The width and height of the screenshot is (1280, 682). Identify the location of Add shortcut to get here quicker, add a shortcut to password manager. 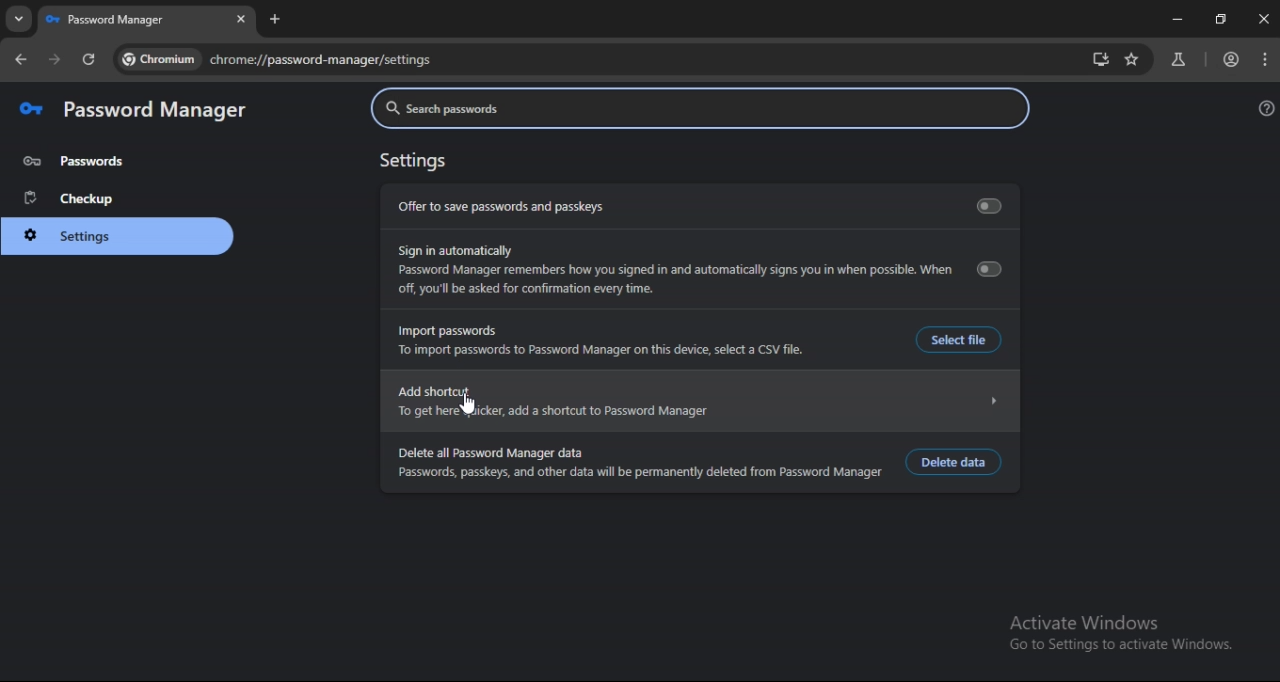
(699, 402).